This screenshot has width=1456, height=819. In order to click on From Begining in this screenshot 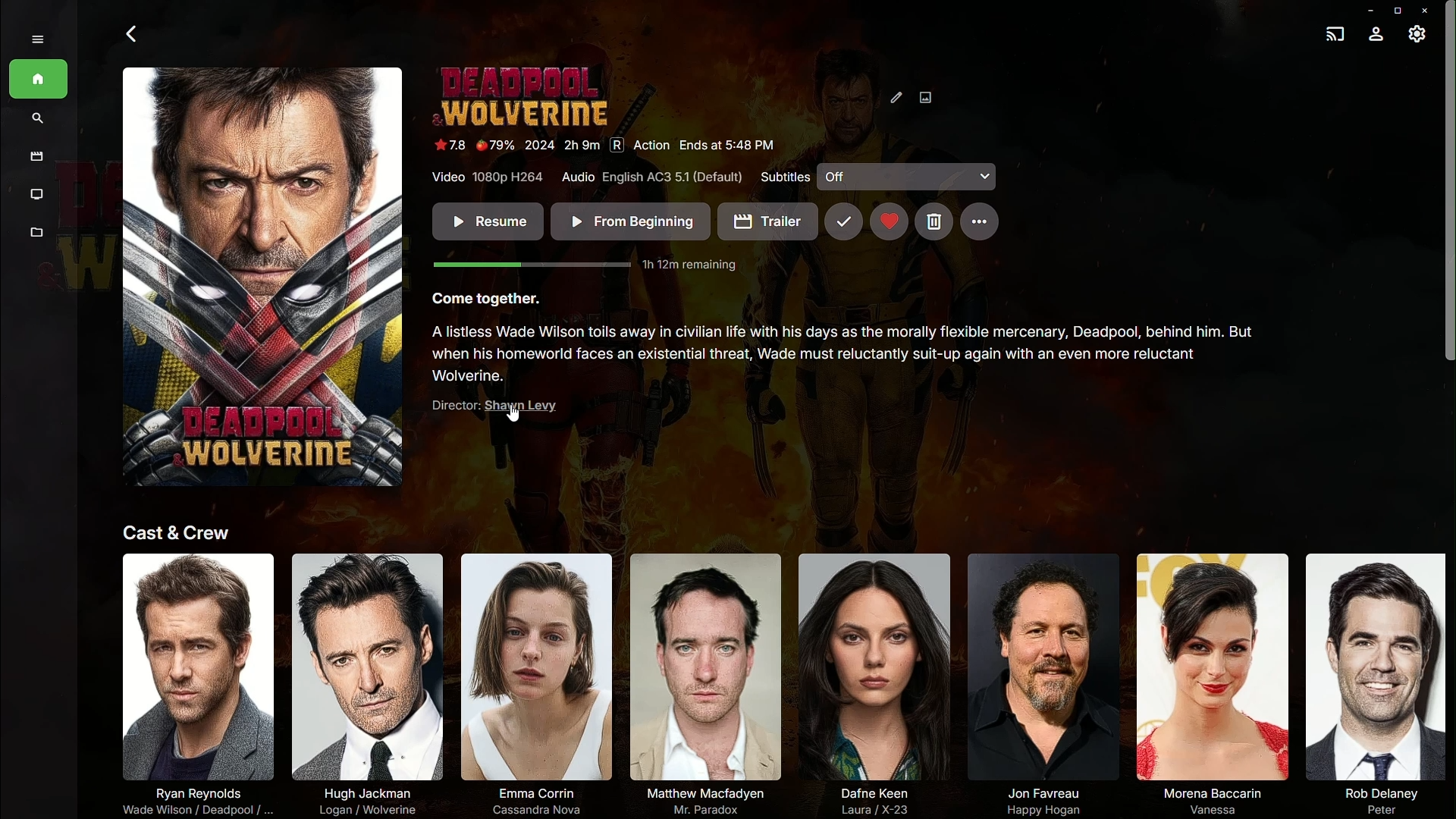, I will do `click(629, 221)`.